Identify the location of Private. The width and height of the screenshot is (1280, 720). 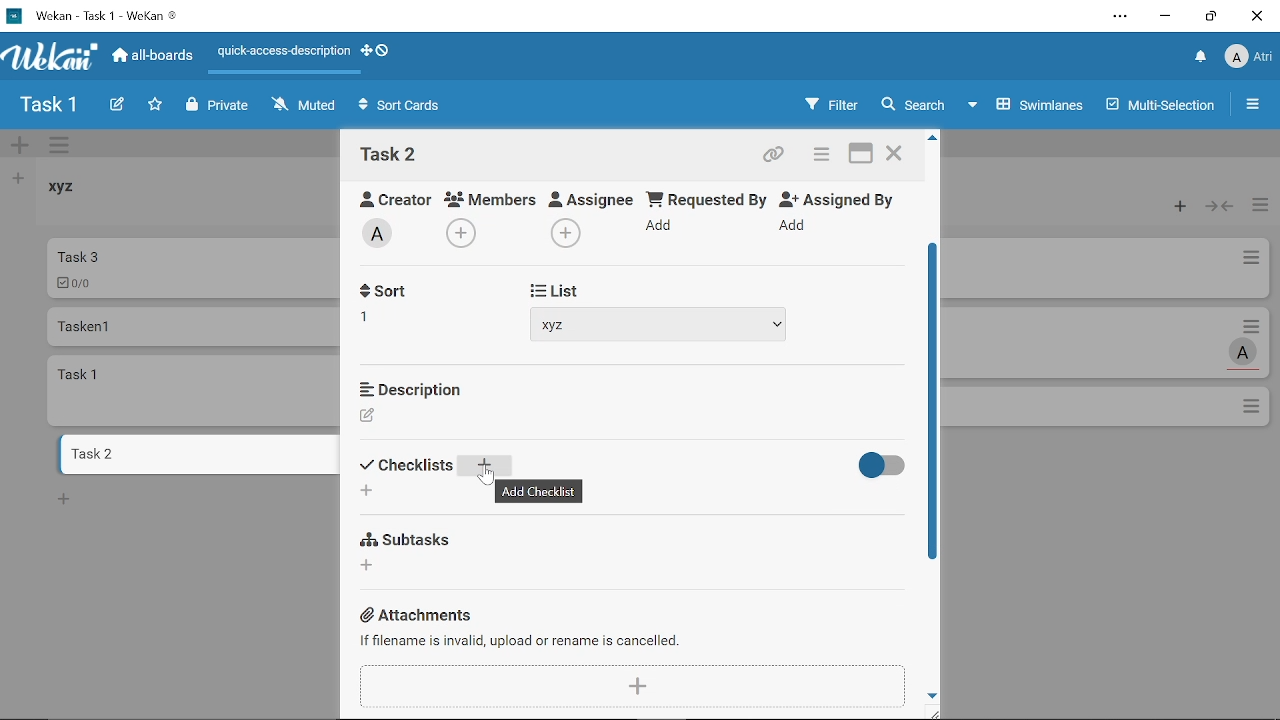
(218, 106).